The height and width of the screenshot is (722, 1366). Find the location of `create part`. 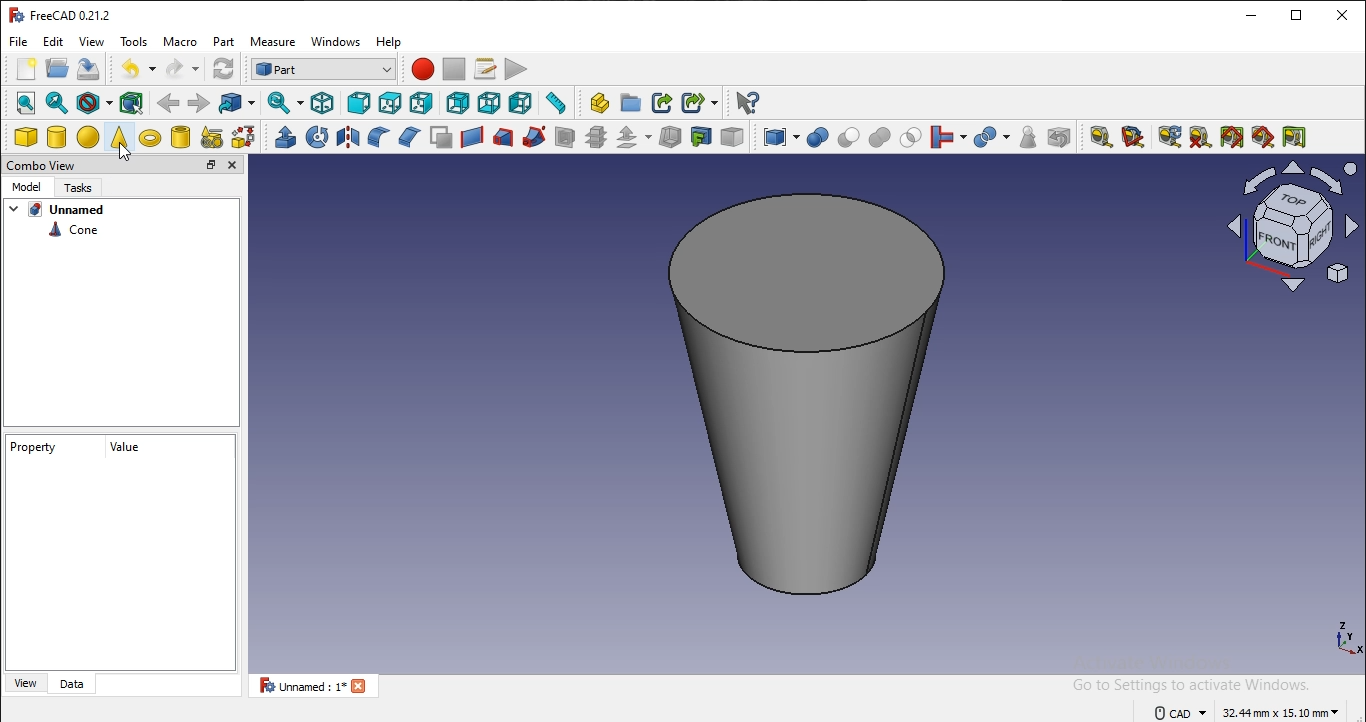

create part is located at coordinates (600, 104).